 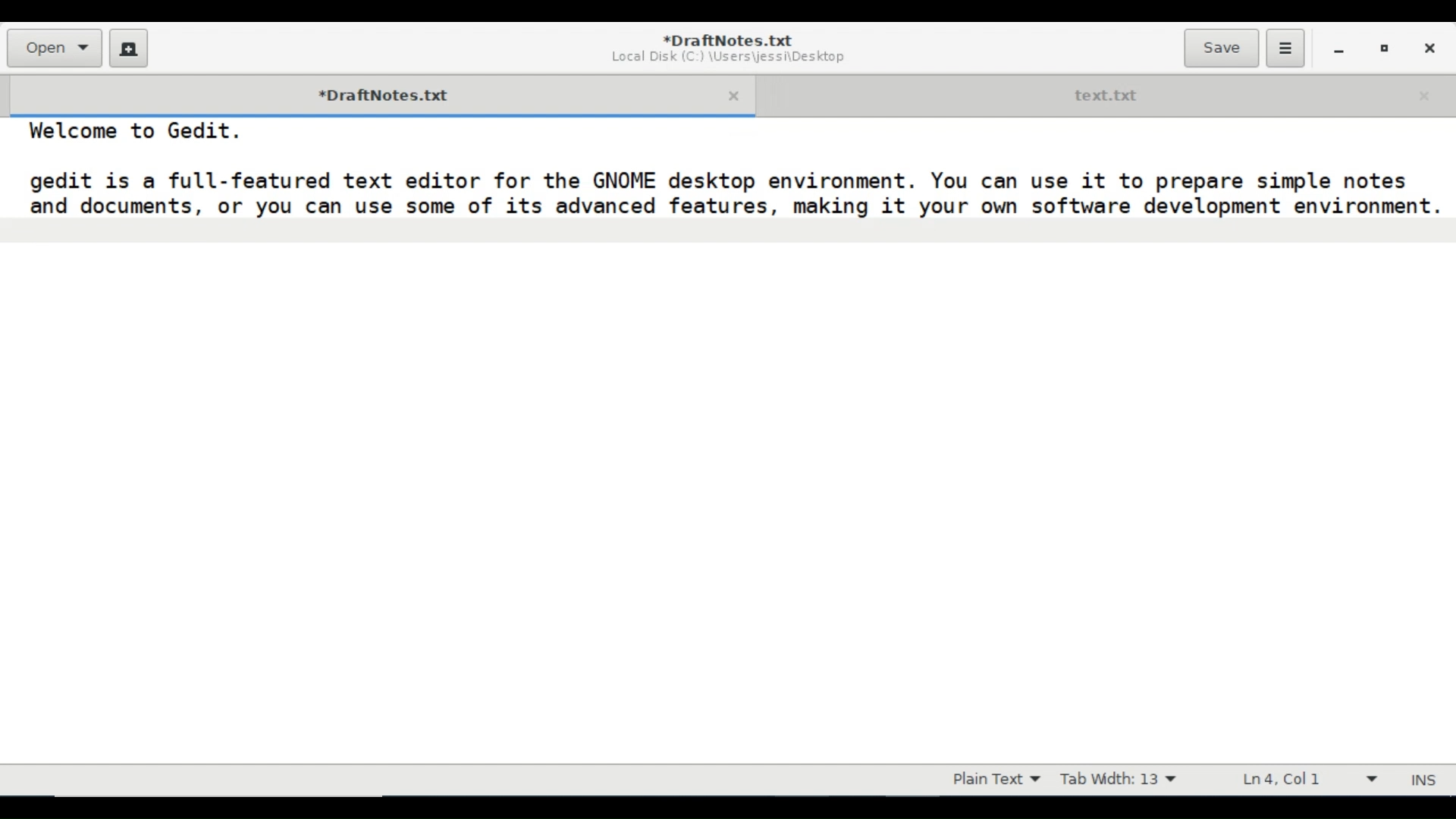 I want to click on Tab Width, so click(x=1118, y=780).